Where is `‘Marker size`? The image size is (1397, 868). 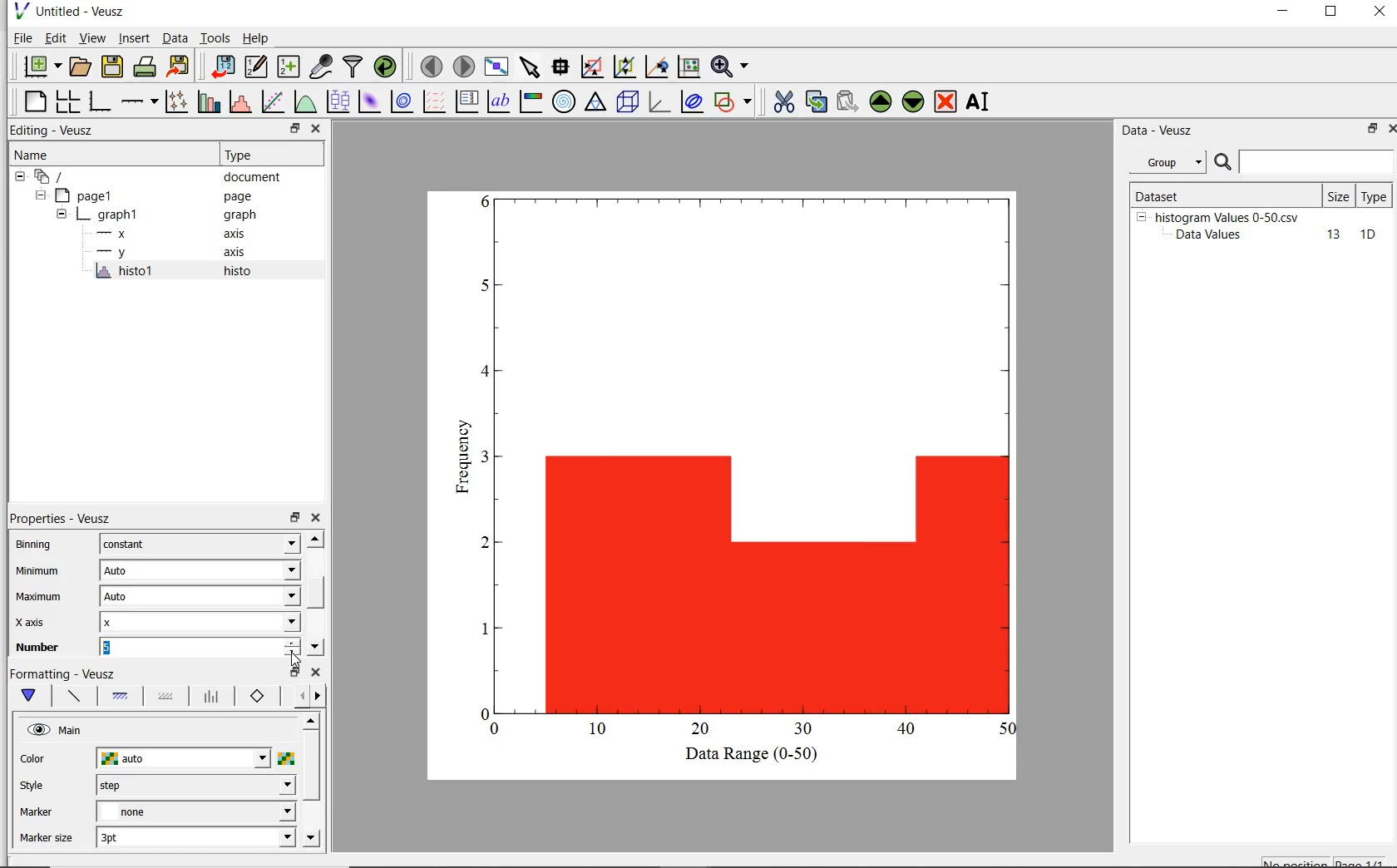
‘Marker size is located at coordinates (47, 839).